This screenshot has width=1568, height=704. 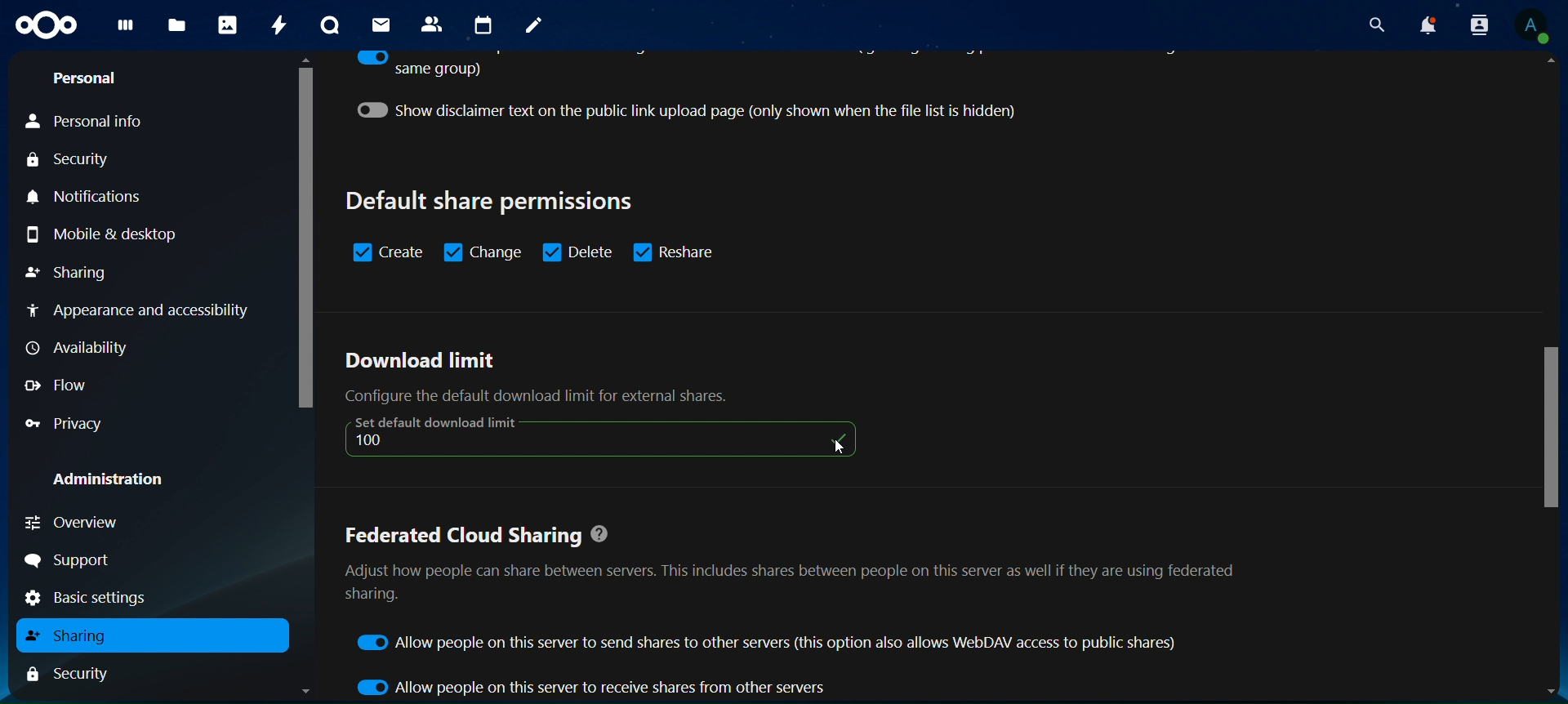 I want to click on Allow people on this server to receive share from other servers, so click(x=593, y=688).